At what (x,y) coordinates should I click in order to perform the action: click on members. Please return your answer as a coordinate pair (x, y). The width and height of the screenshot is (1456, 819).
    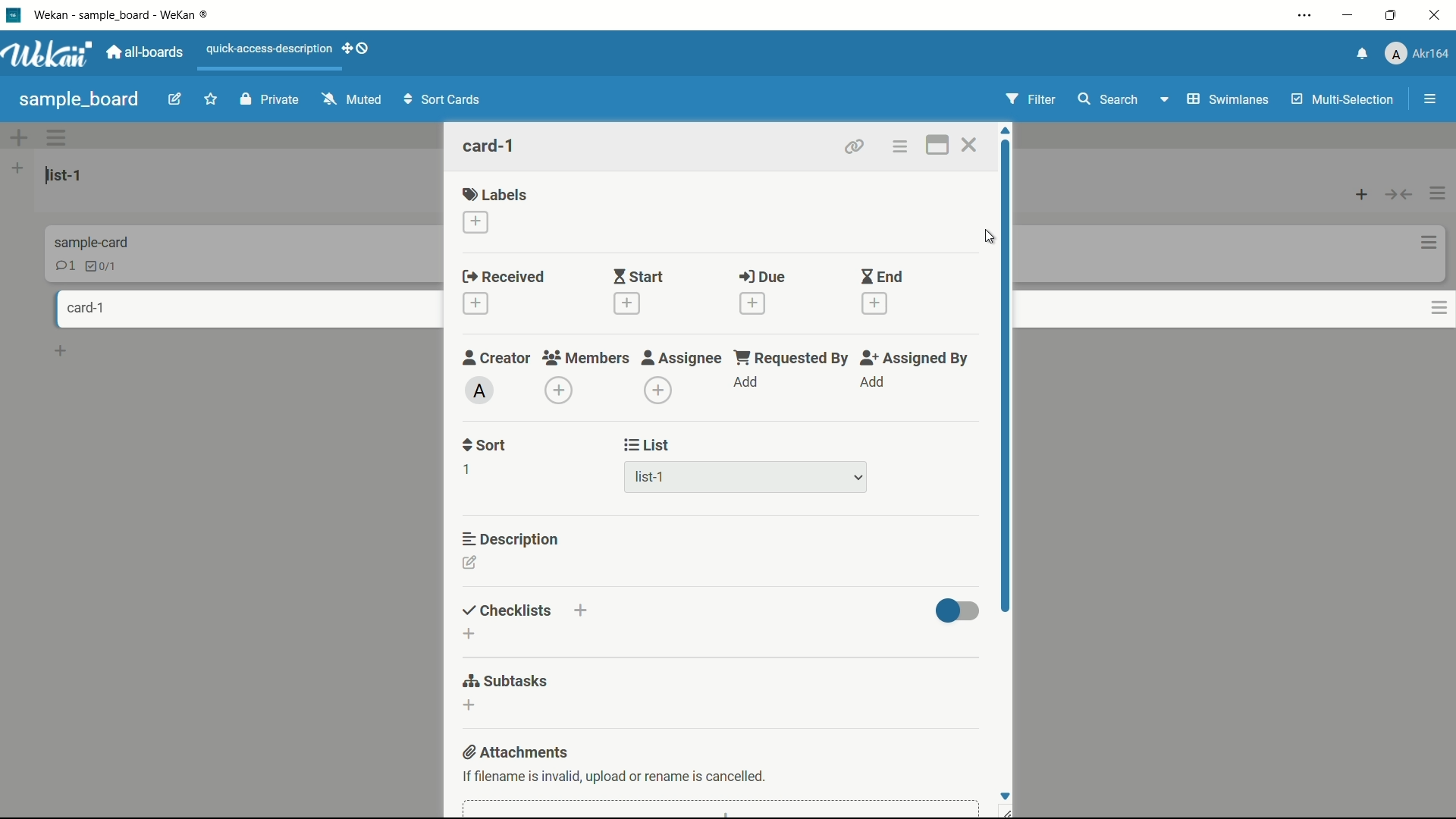
    Looking at the image, I should click on (586, 357).